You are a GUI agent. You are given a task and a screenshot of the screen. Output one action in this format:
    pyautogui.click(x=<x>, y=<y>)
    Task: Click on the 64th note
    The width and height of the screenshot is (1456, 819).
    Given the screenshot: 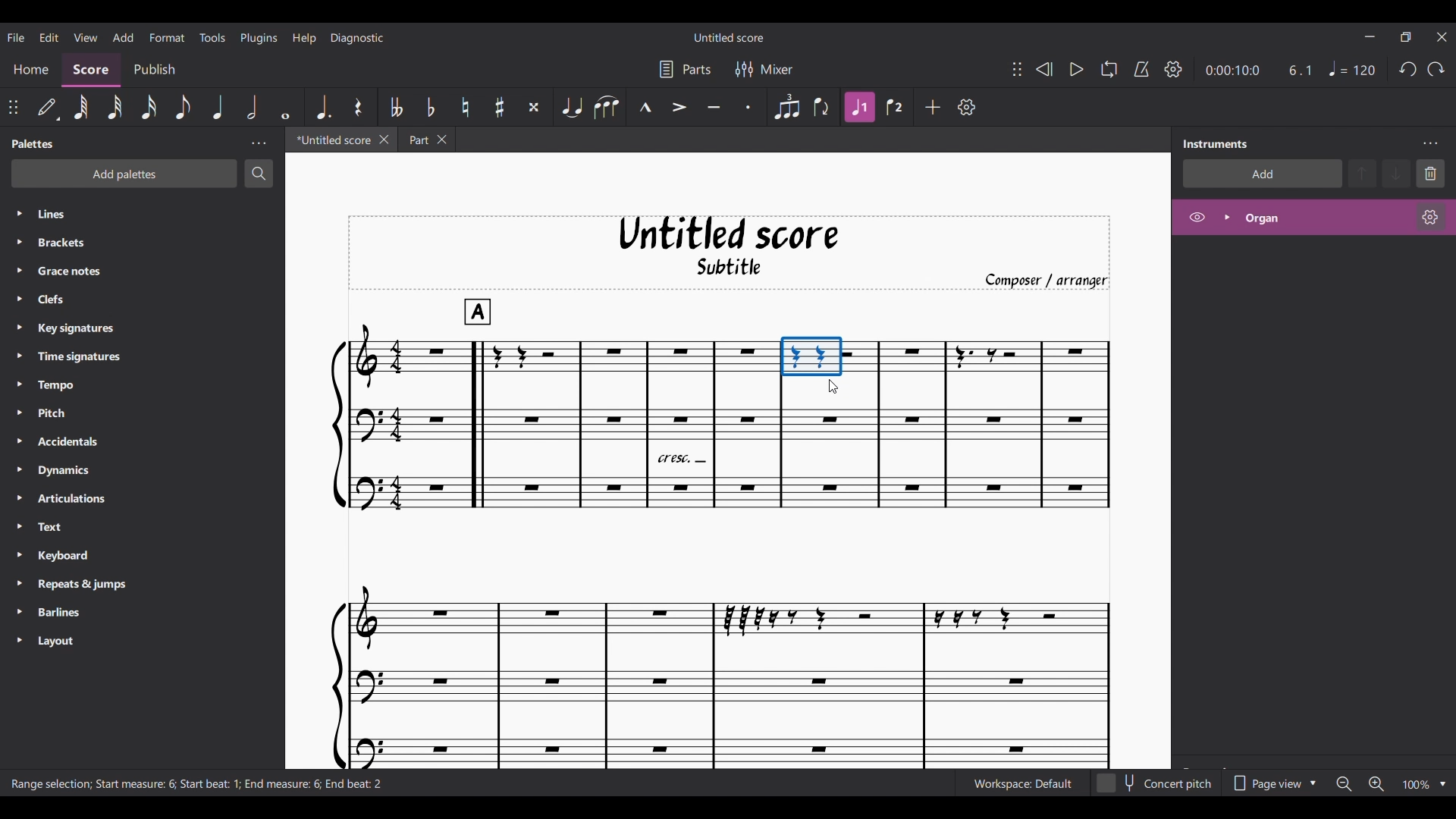 What is the action you would take?
    pyautogui.click(x=80, y=108)
    